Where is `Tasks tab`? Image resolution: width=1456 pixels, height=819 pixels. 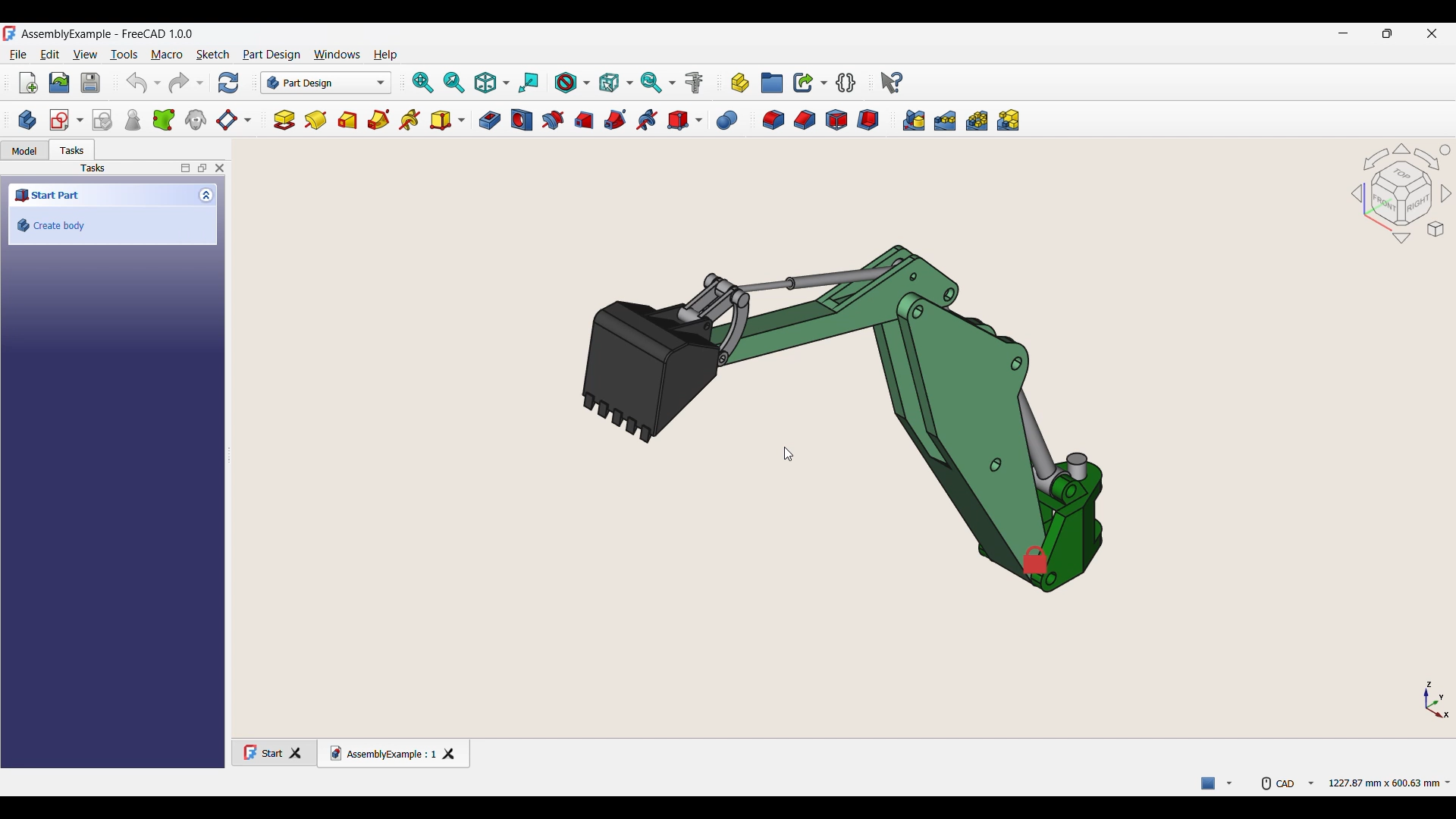
Tasks tab is located at coordinates (72, 150).